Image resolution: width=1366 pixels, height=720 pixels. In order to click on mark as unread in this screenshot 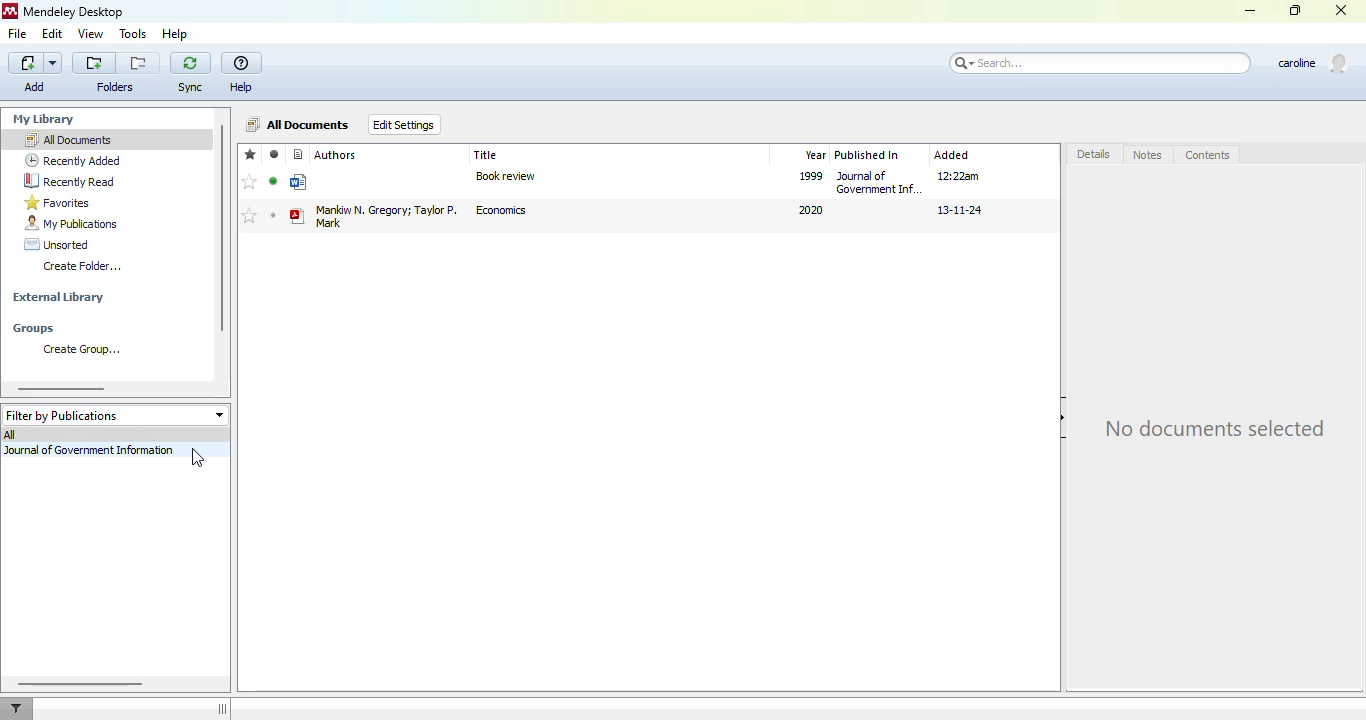, I will do `click(273, 215)`.